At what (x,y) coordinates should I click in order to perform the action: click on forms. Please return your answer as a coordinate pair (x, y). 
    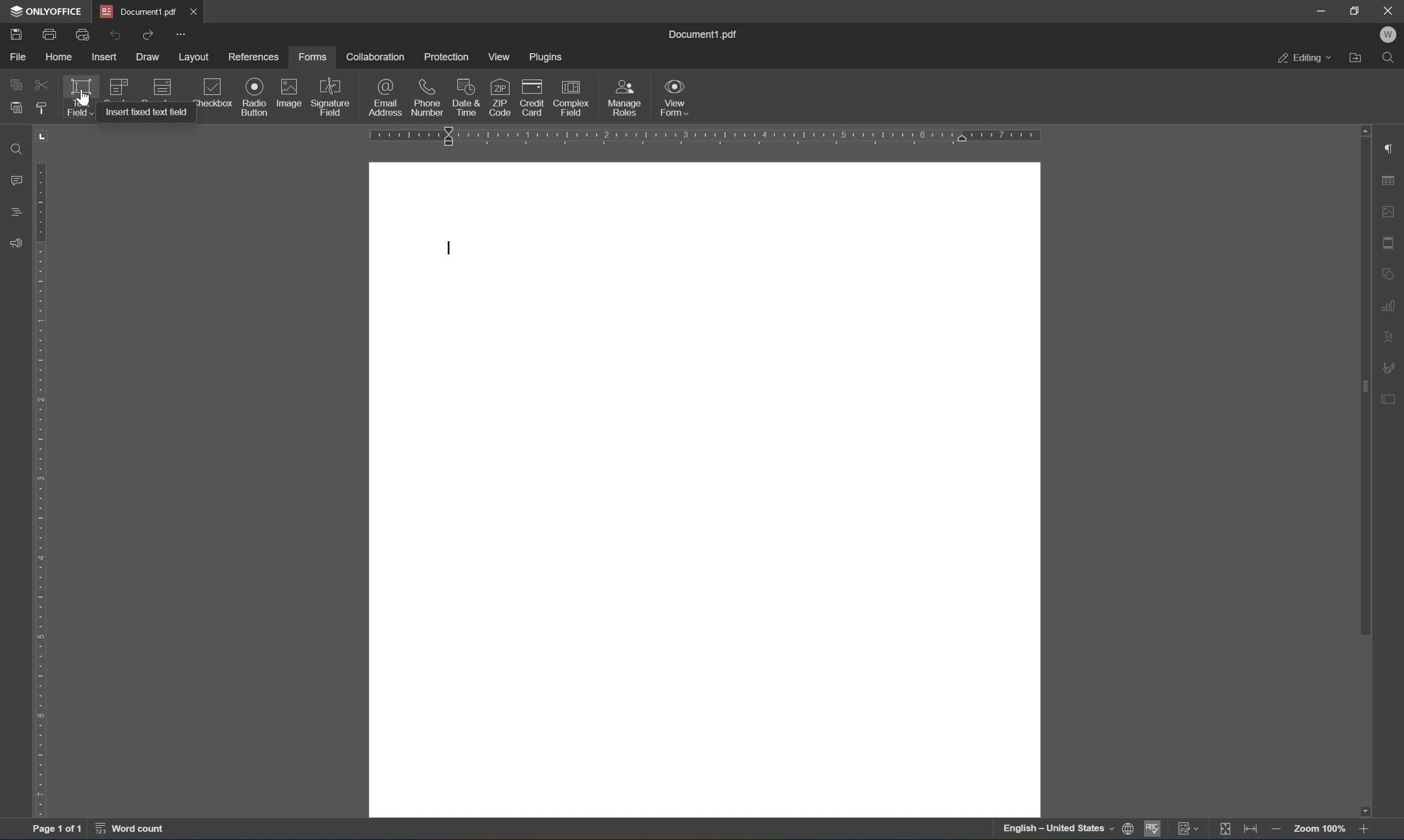
    Looking at the image, I should click on (313, 58).